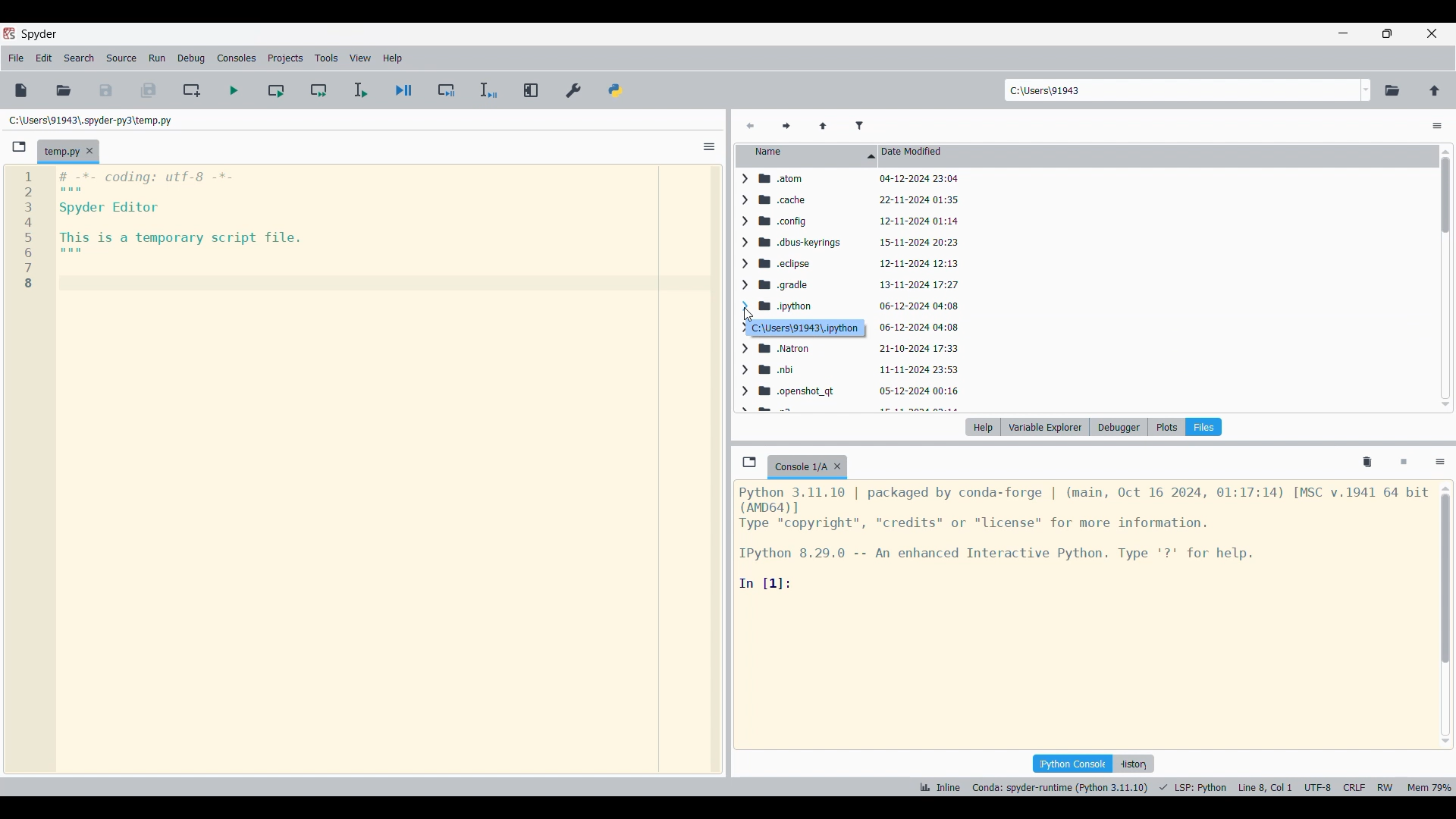 Image resolution: width=1456 pixels, height=819 pixels. What do you see at coordinates (799, 467) in the screenshot?
I see `Current tab` at bounding box center [799, 467].